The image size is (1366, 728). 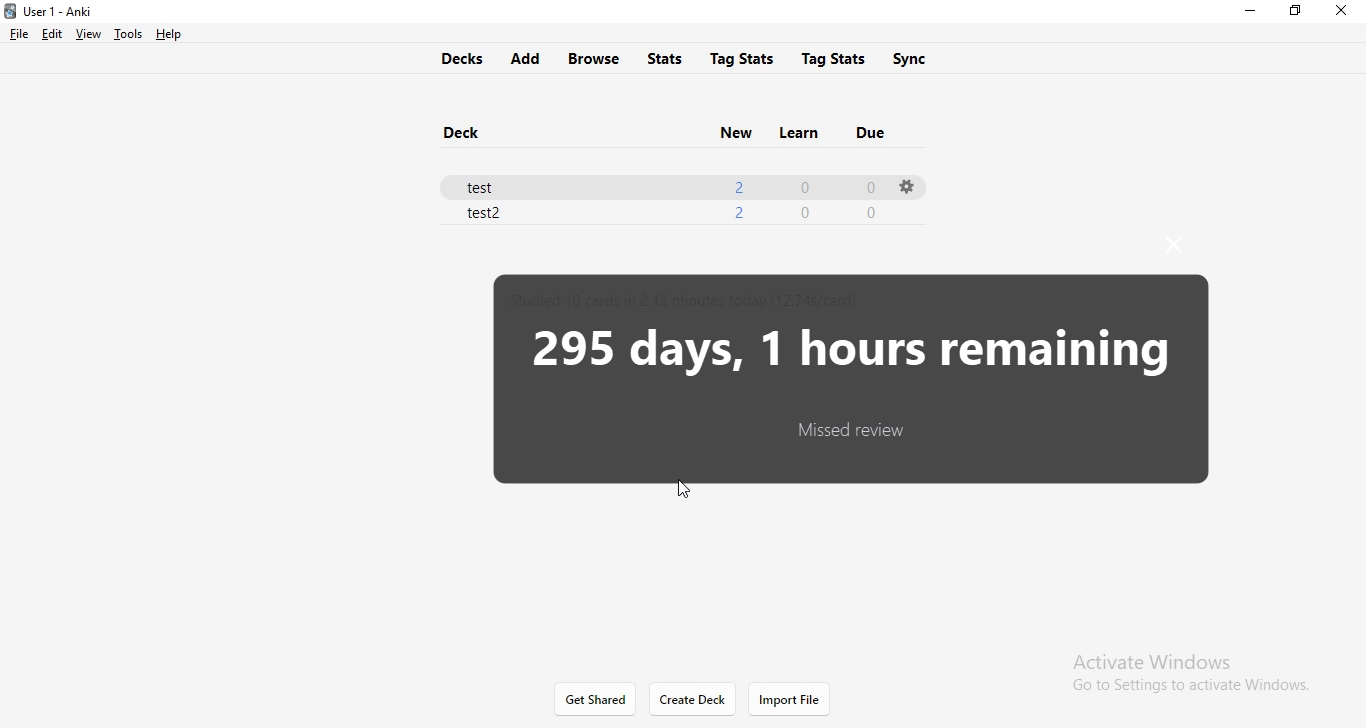 I want to click on tags stats, so click(x=836, y=56).